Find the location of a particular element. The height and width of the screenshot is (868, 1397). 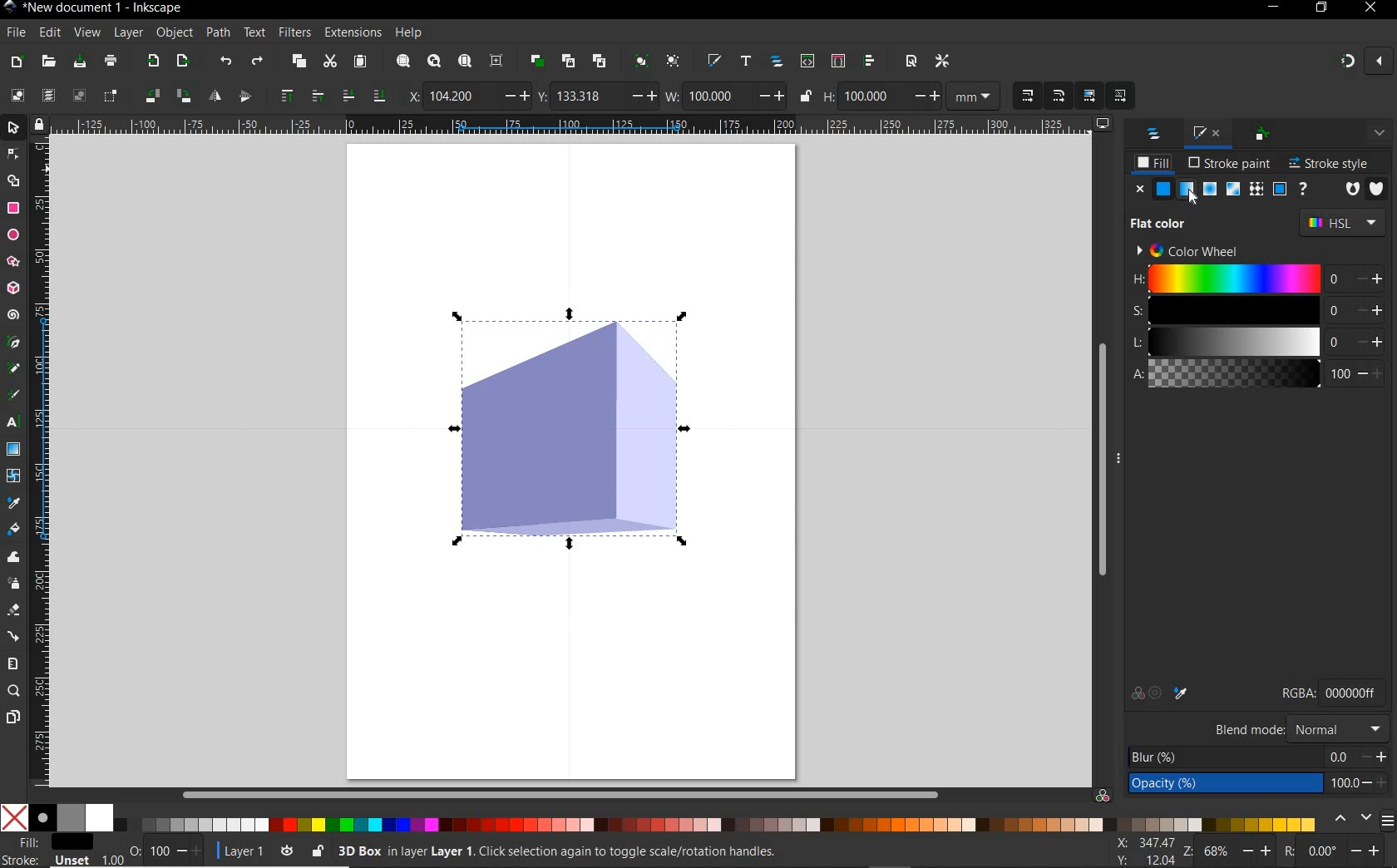

SELECT ALL IN ALL LAYERS is located at coordinates (47, 95).